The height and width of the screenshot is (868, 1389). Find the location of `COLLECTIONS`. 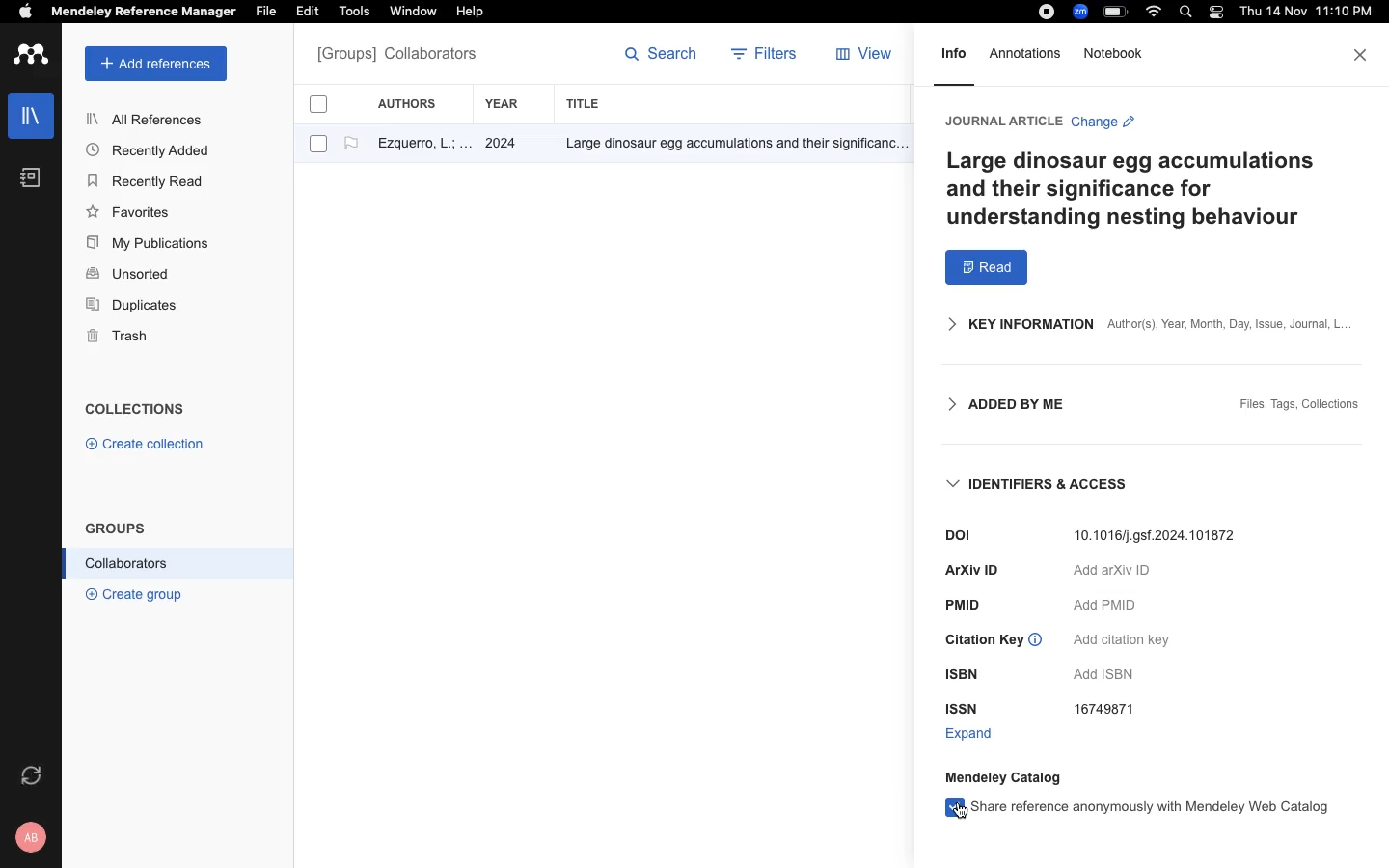

COLLECTIONS is located at coordinates (135, 411).